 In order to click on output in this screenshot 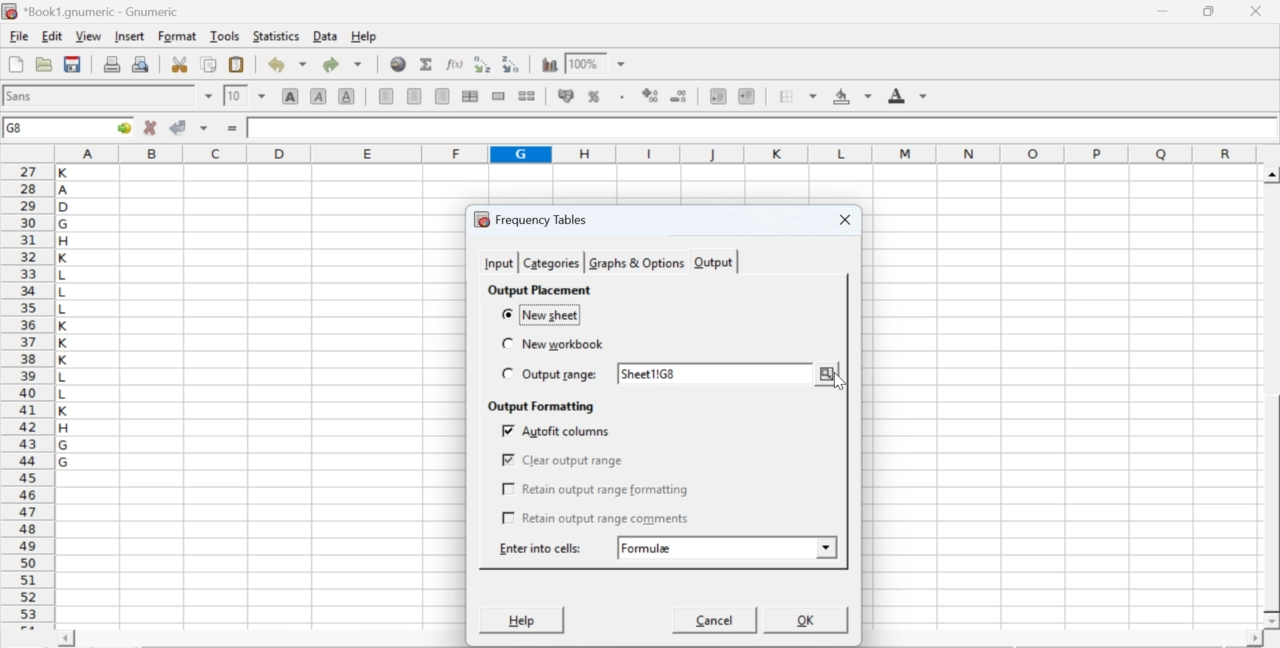, I will do `click(714, 263)`.